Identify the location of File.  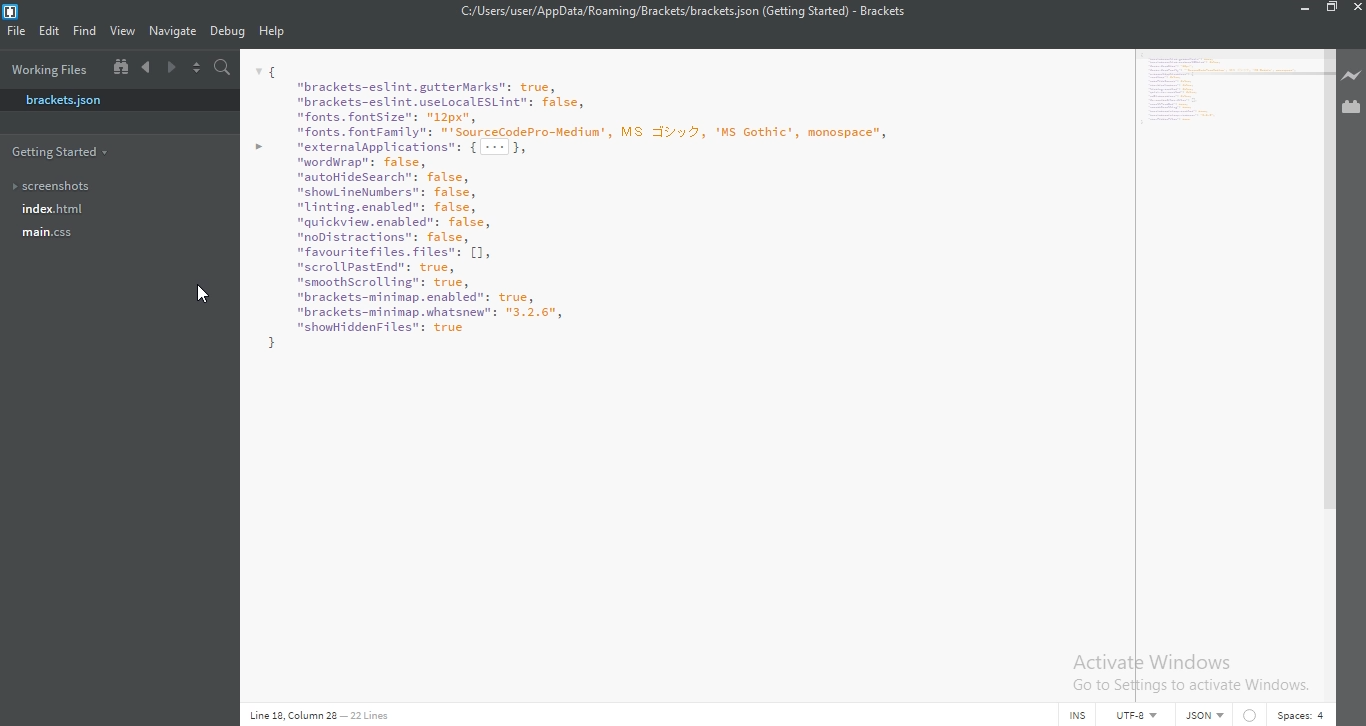
(14, 32).